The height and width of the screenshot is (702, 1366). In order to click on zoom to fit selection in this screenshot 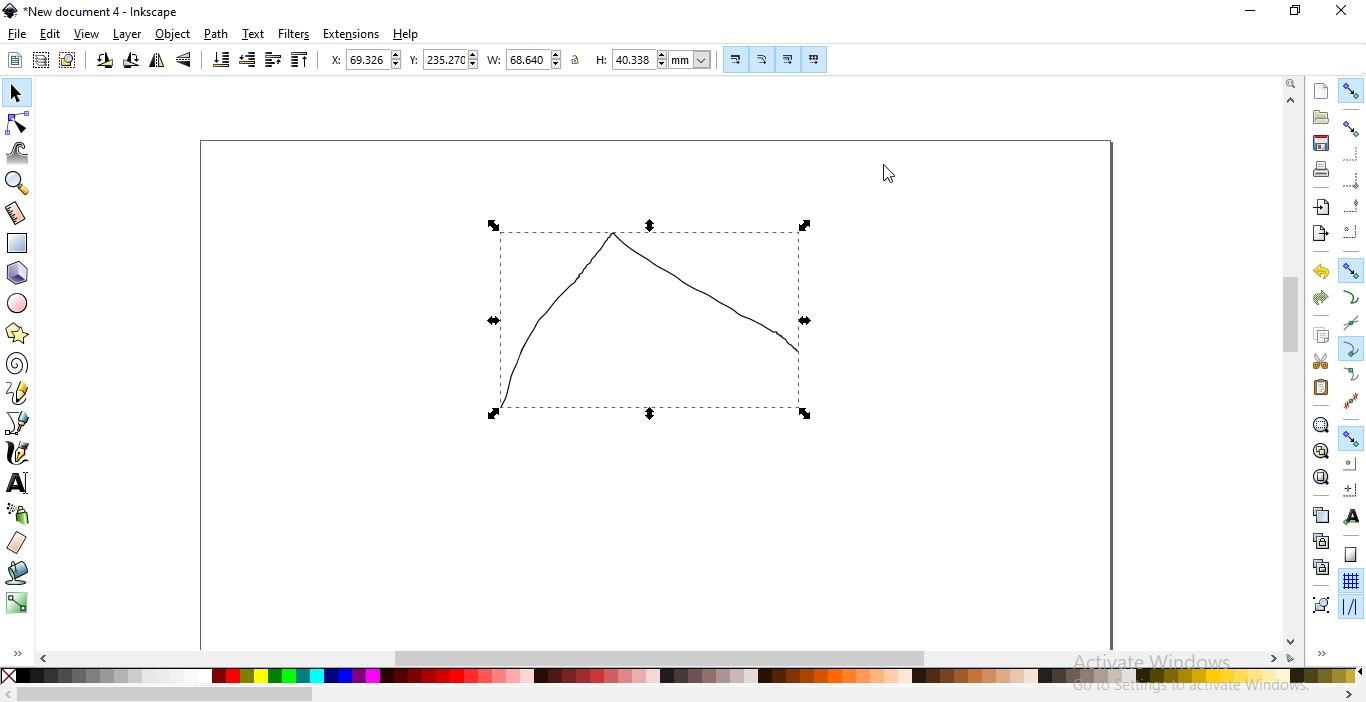, I will do `click(1319, 424)`.